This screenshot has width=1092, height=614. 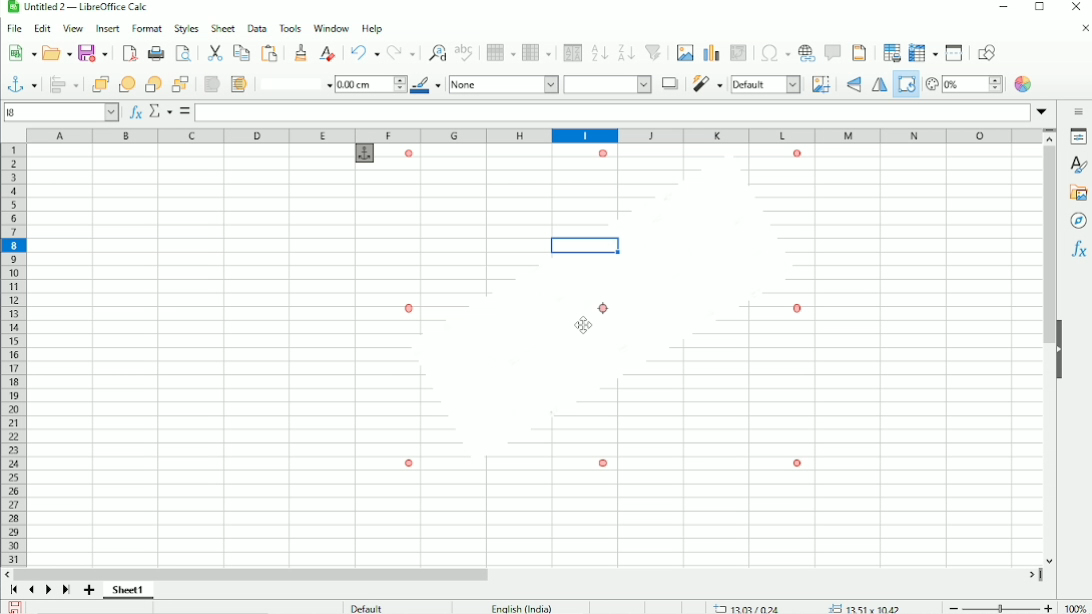 What do you see at coordinates (536, 52) in the screenshot?
I see `Column` at bounding box center [536, 52].